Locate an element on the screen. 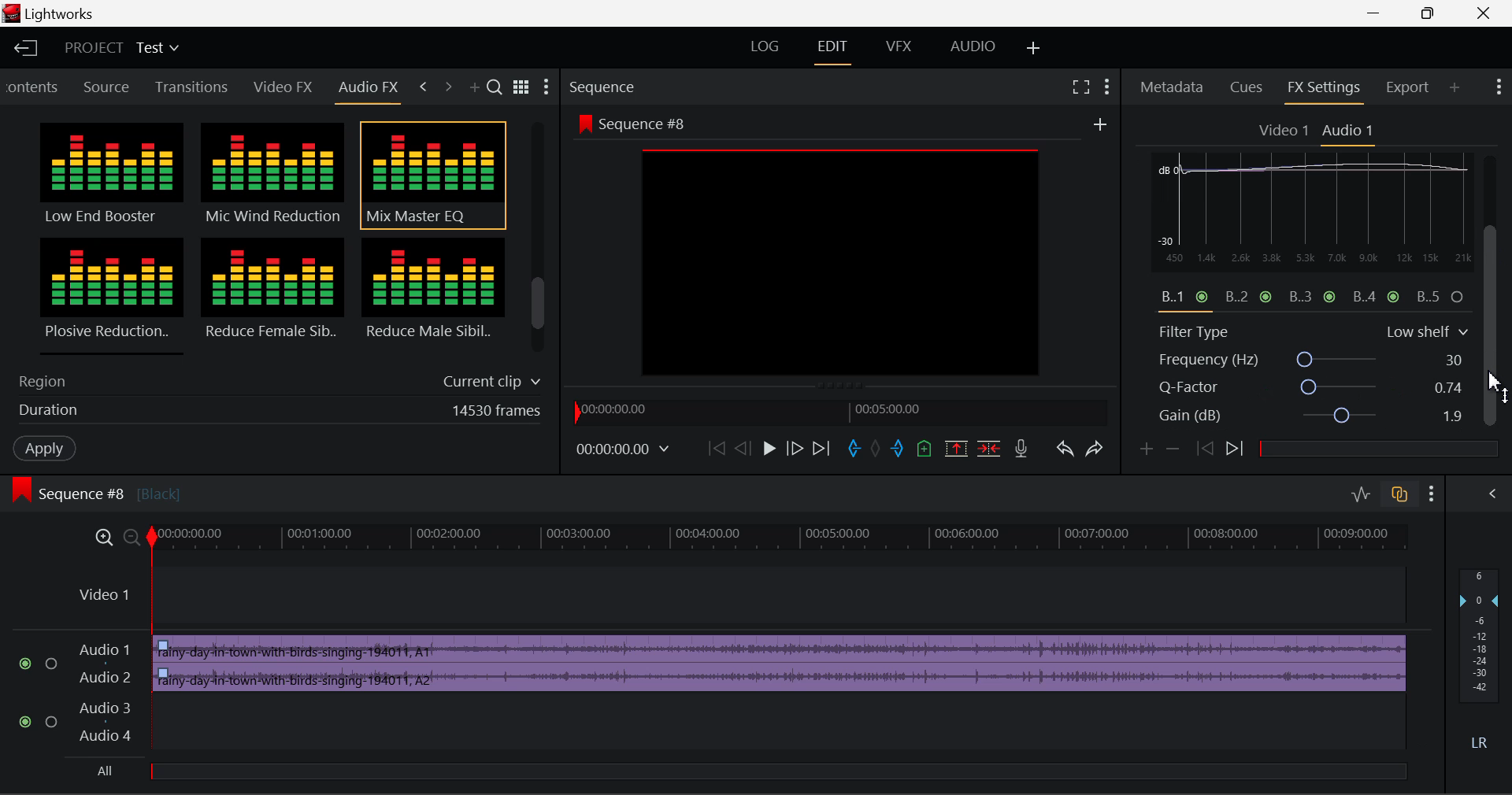 This screenshot has height=795, width=1512. Source is located at coordinates (109, 87).